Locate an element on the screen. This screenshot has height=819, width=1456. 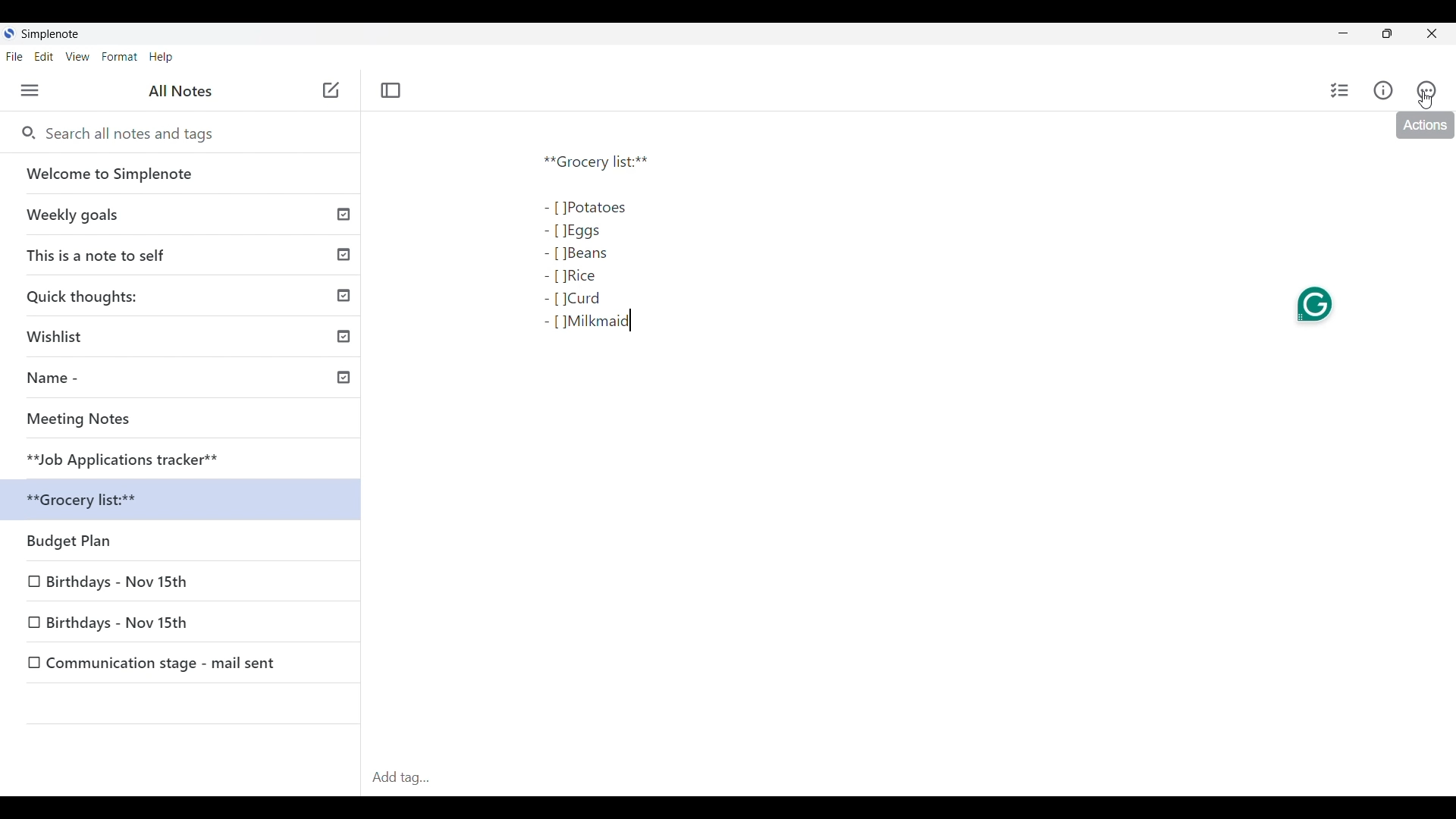
Add tag... is located at coordinates (406, 777).